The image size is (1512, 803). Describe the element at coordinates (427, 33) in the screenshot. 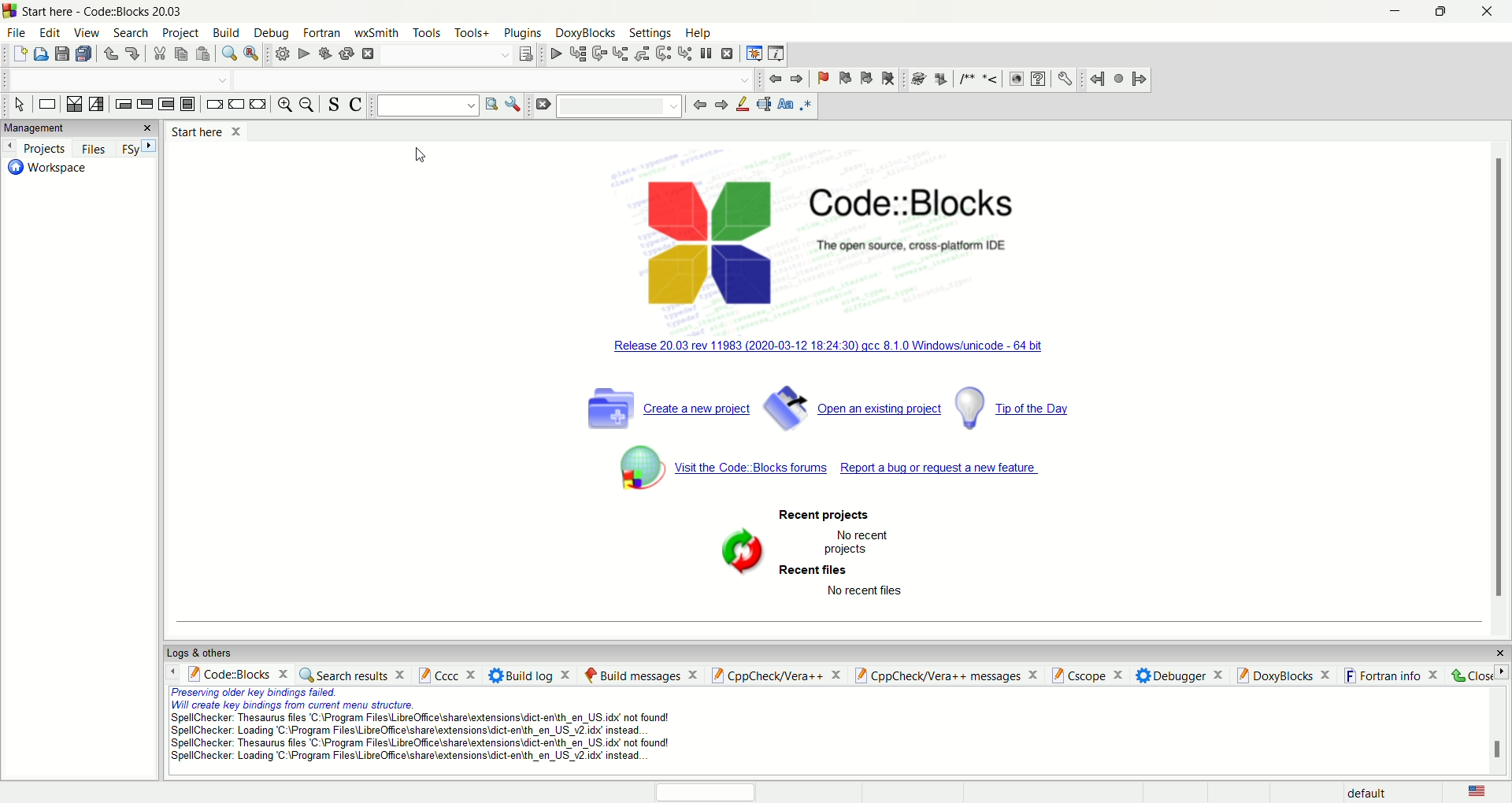

I see `tools` at that location.